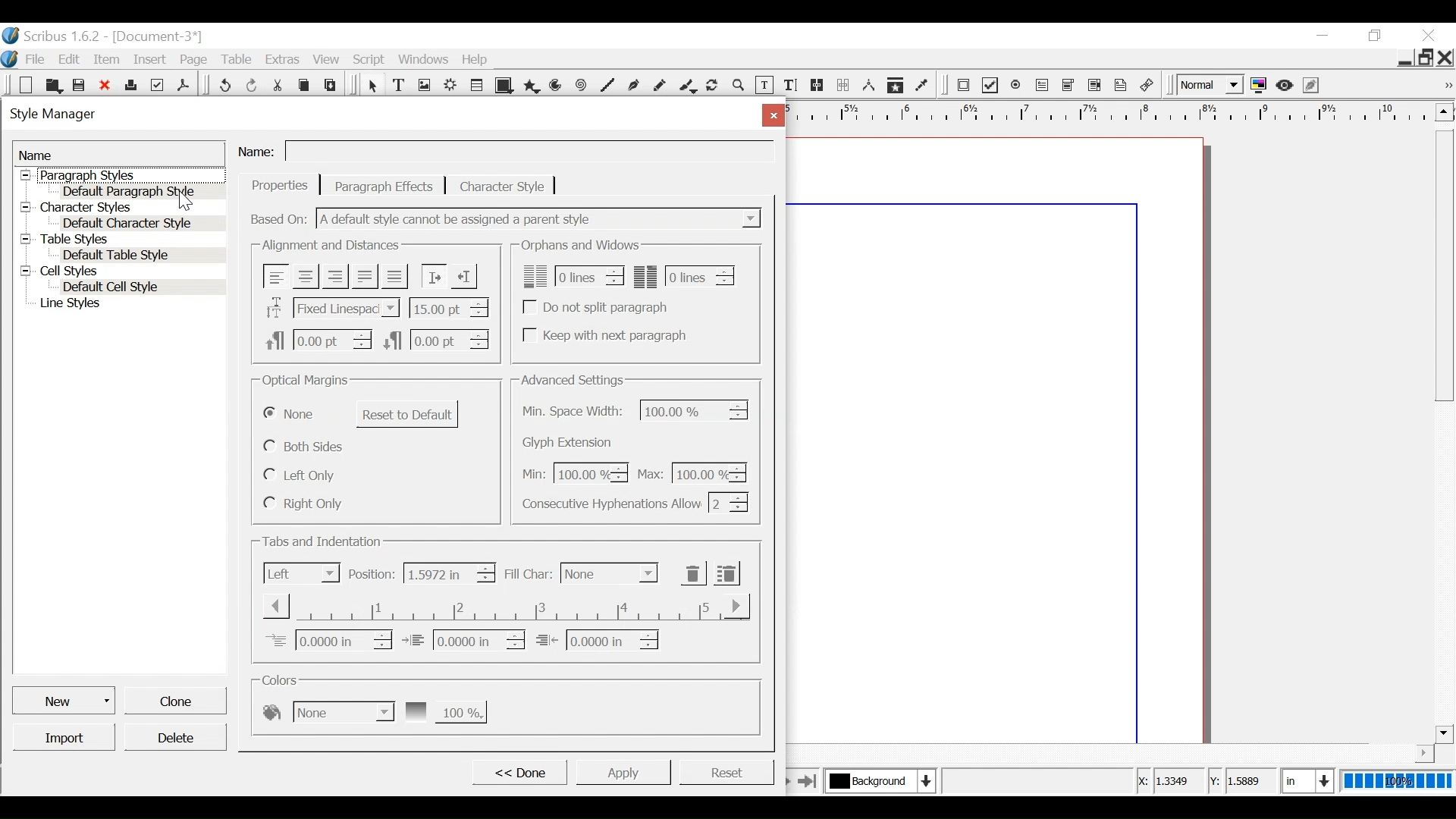 Image resolution: width=1456 pixels, height=819 pixels. Describe the element at coordinates (280, 218) in the screenshot. I see `Based on` at that location.